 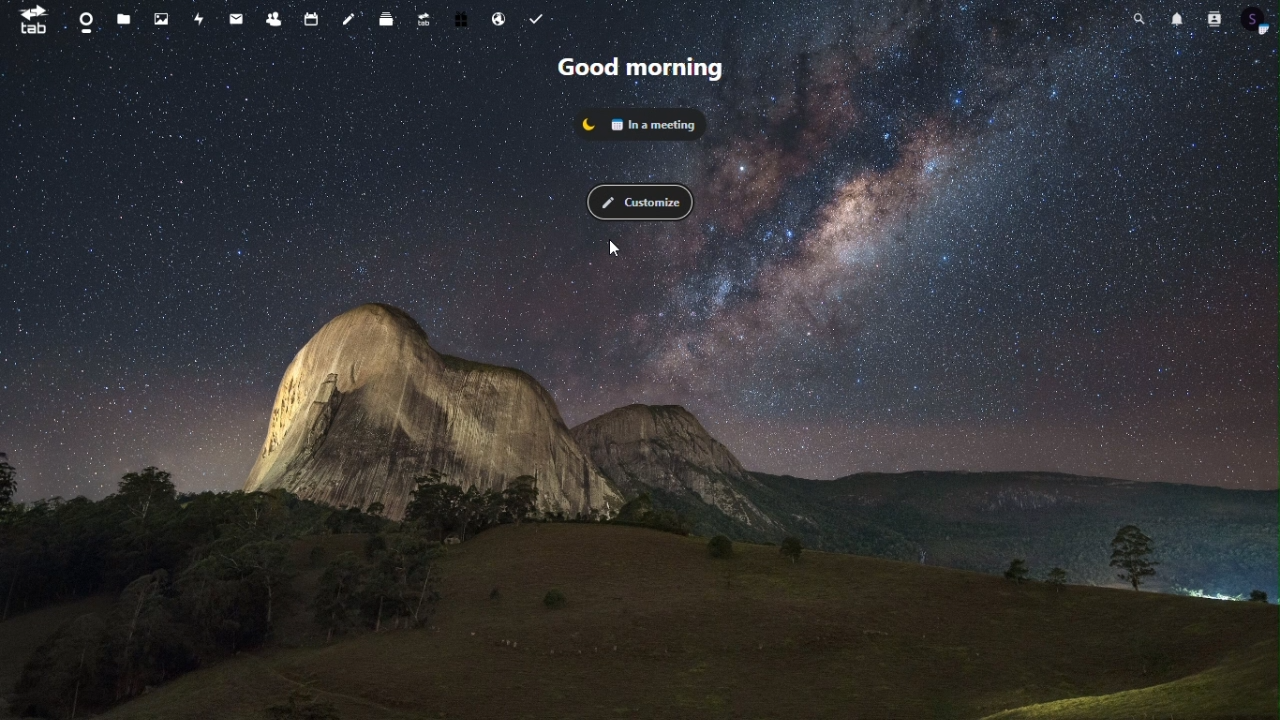 I want to click on contacts, so click(x=273, y=18).